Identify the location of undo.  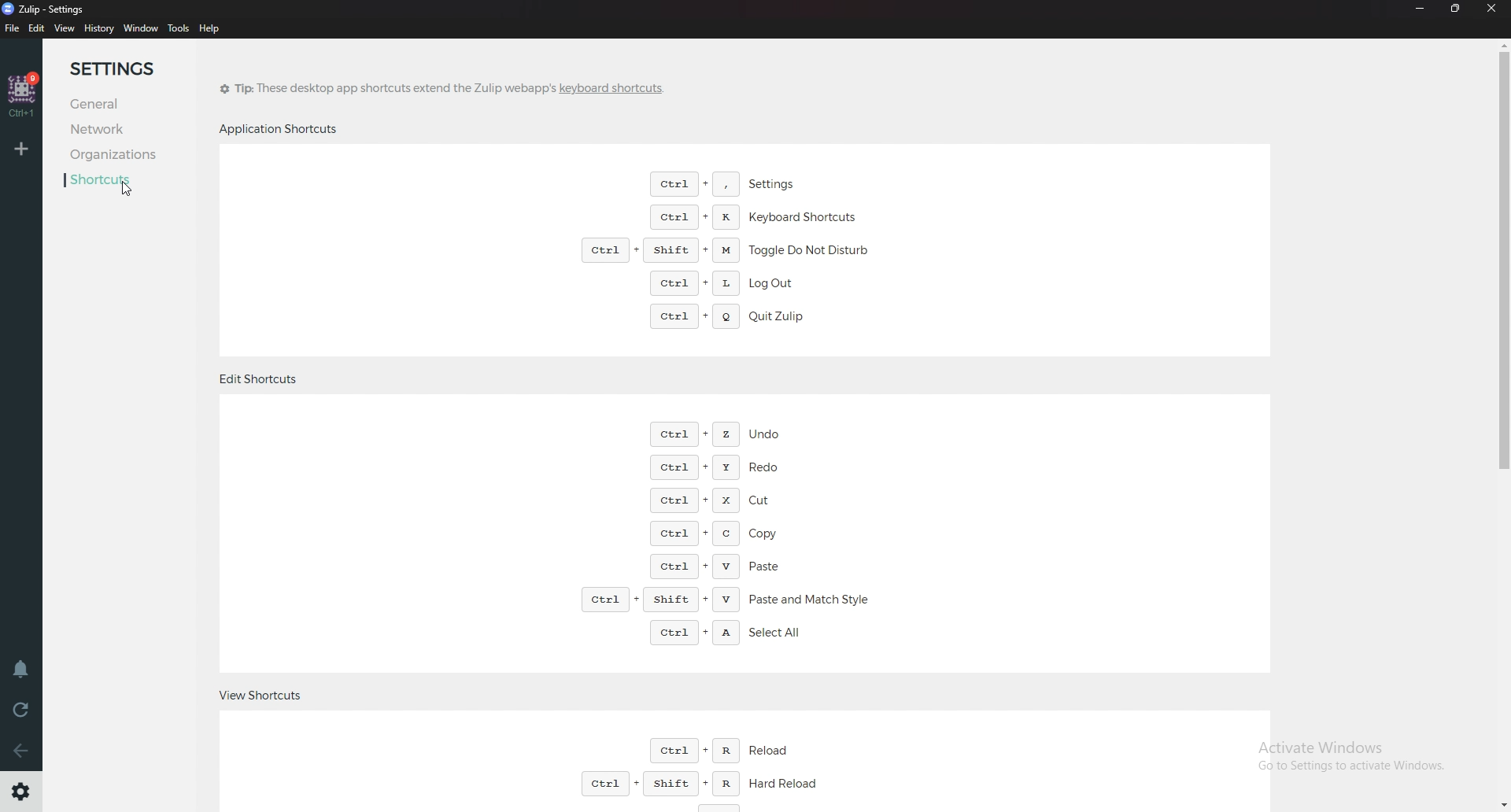
(718, 434).